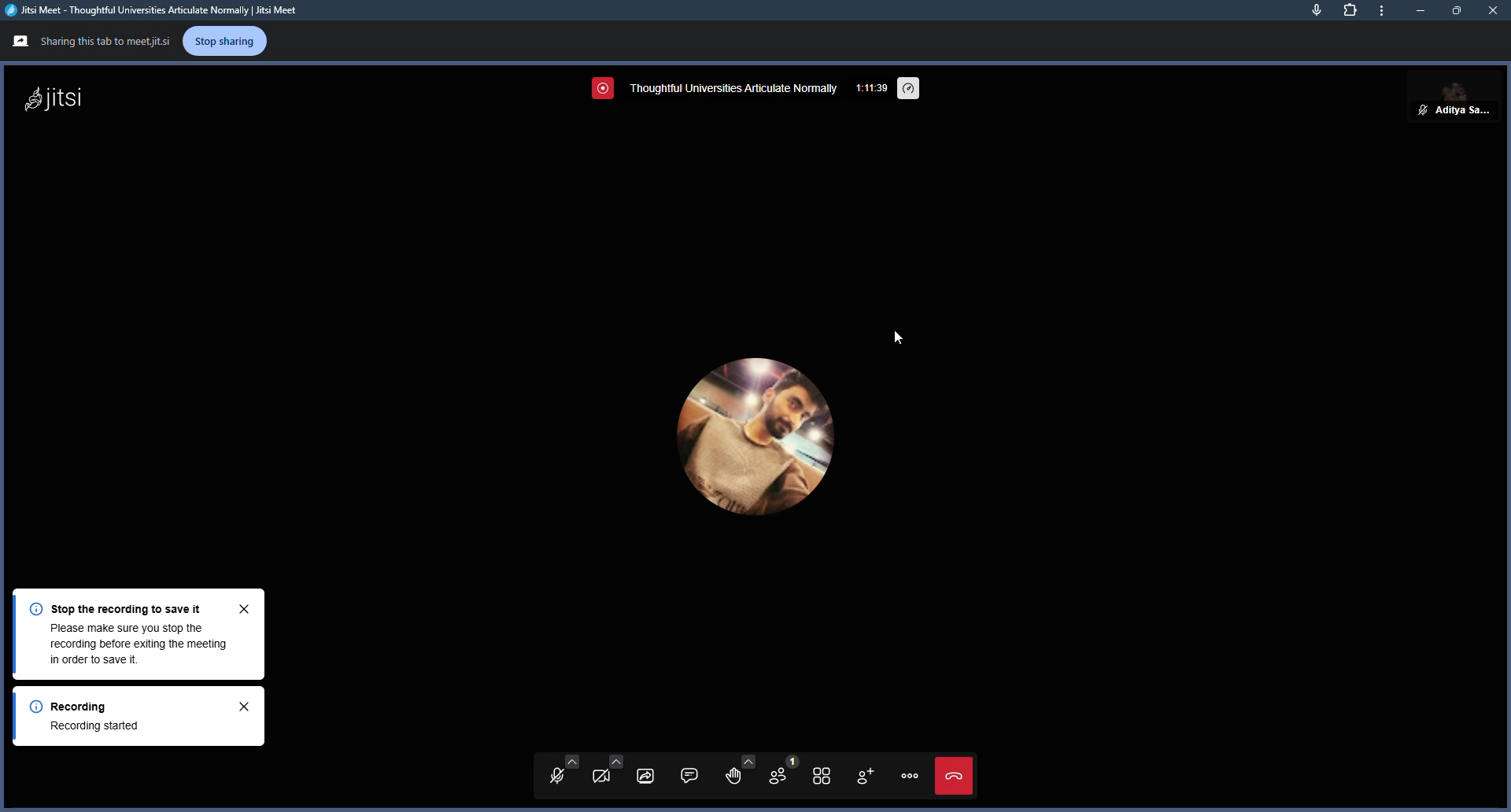 The height and width of the screenshot is (812, 1511). Describe the element at coordinates (1380, 13) in the screenshot. I see `more` at that location.